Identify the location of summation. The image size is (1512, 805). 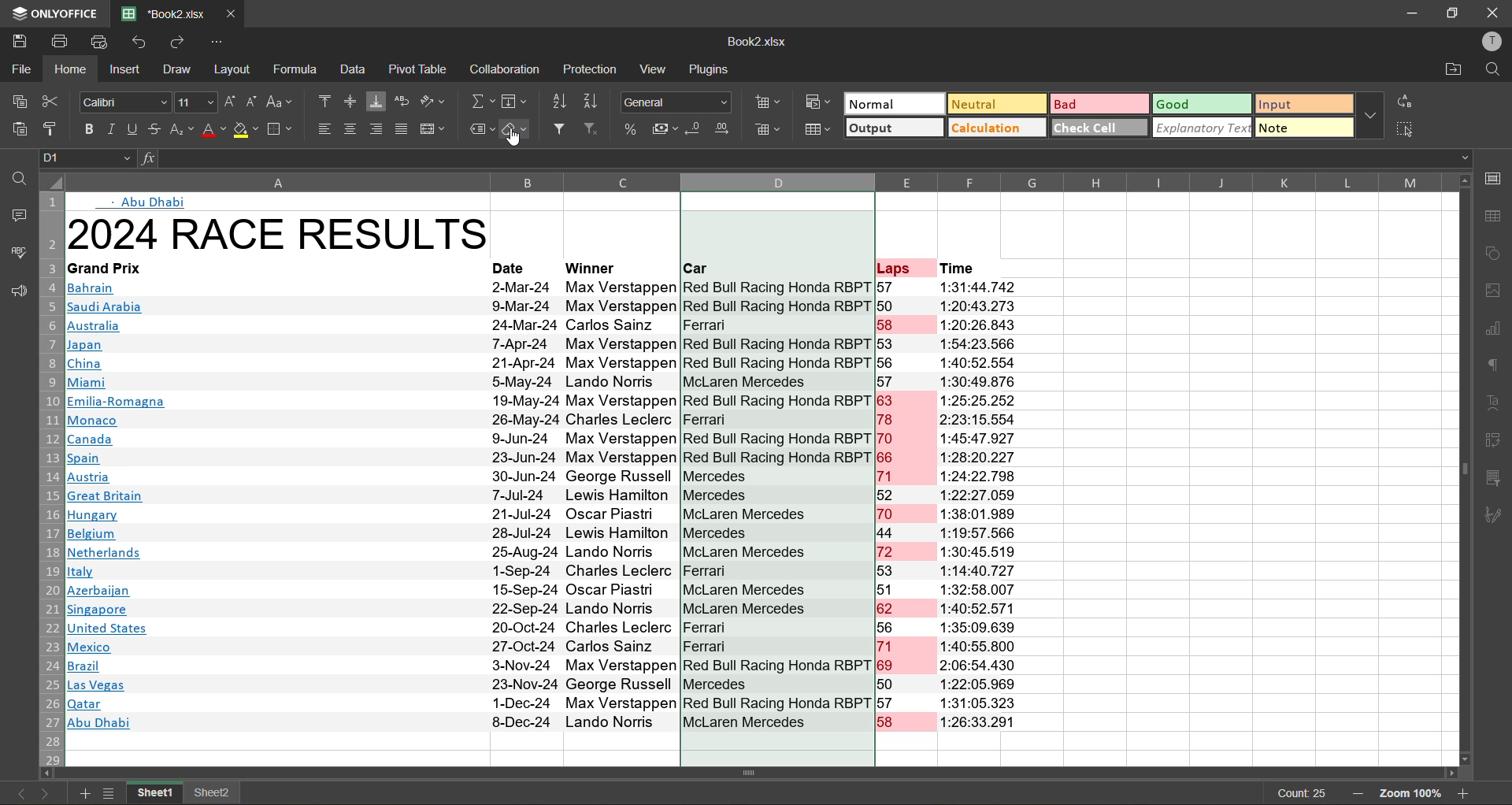
(481, 101).